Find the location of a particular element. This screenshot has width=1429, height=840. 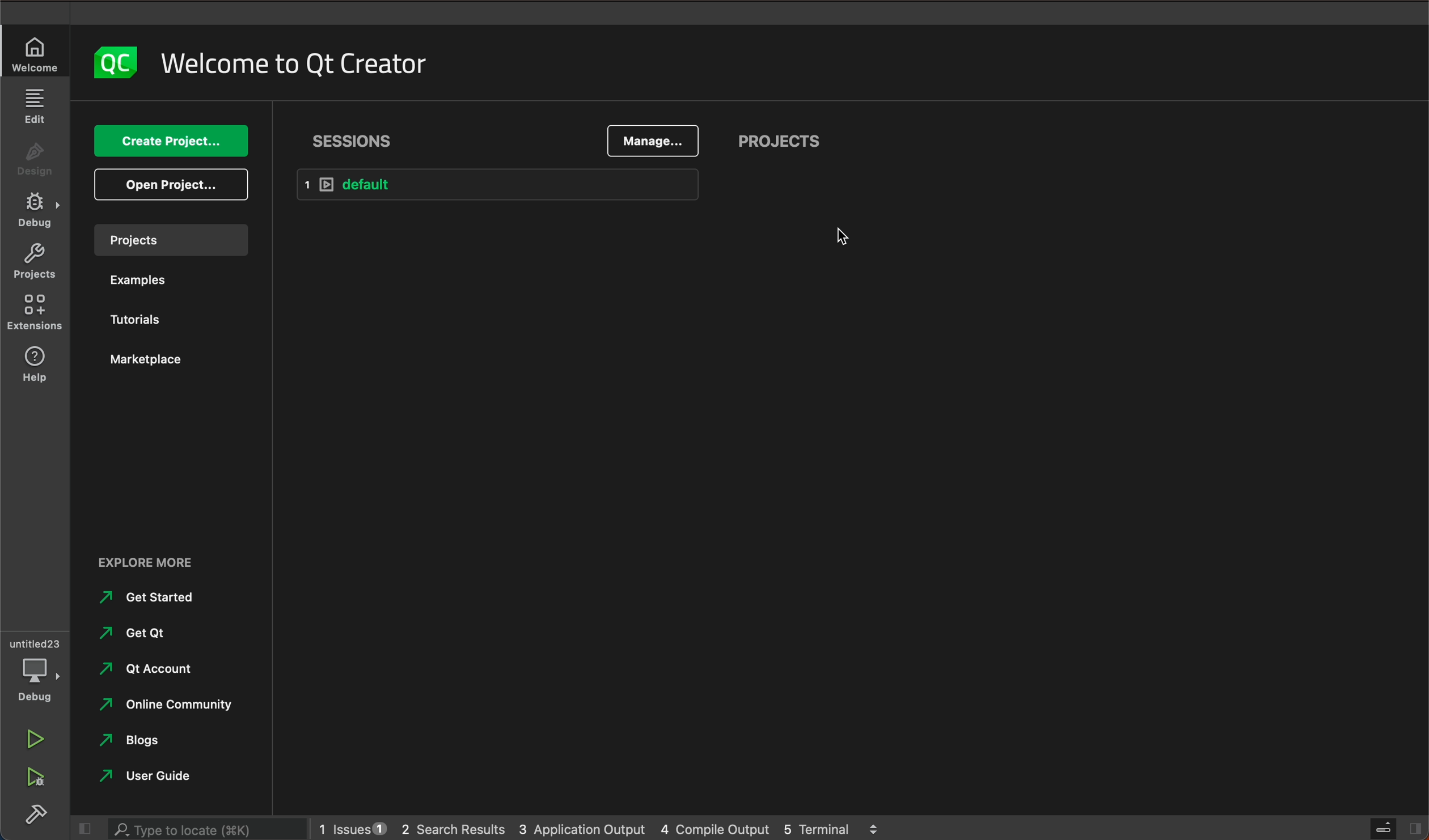

manage is located at coordinates (652, 139).